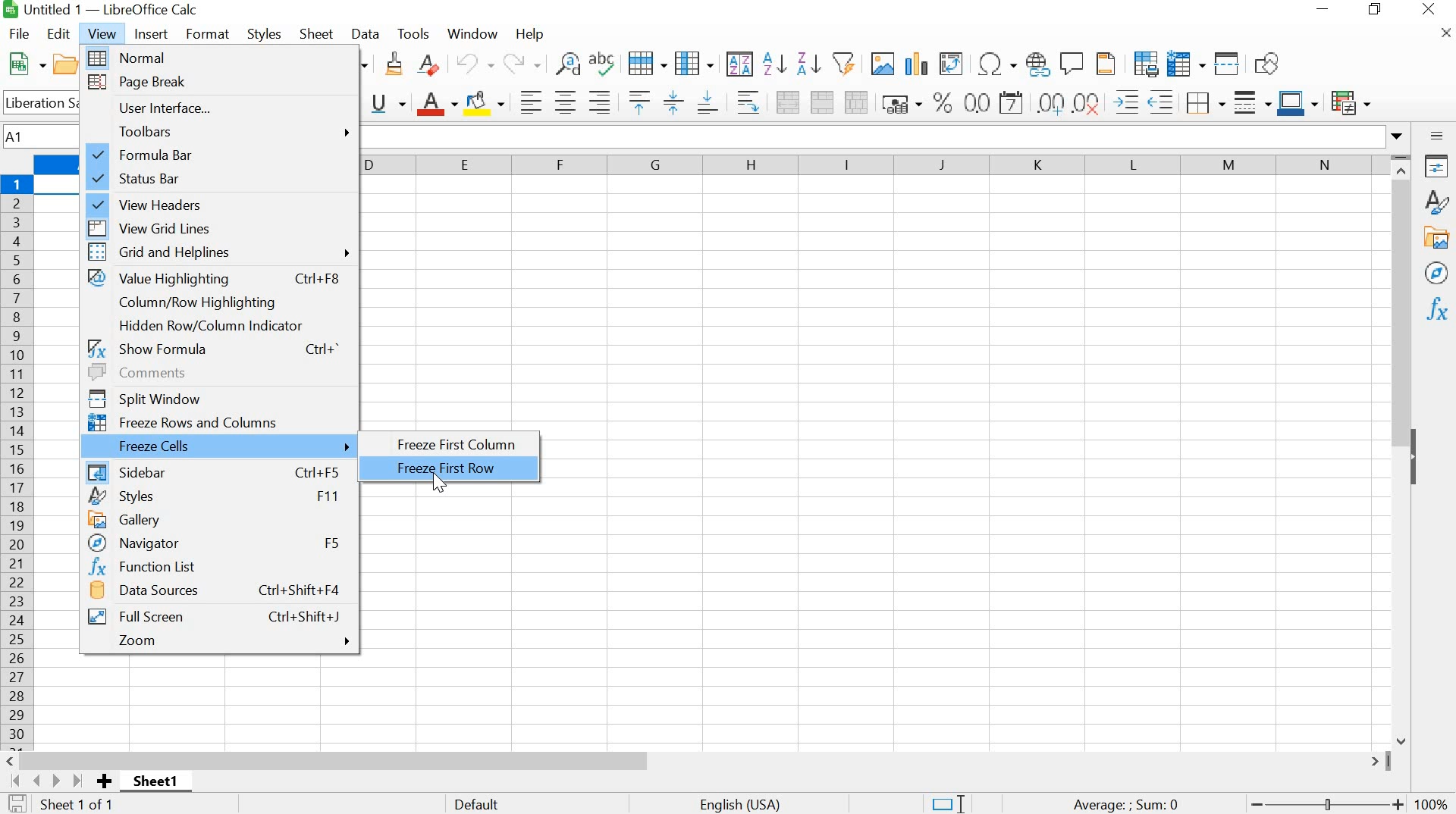  Describe the element at coordinates (218, 279) in the screenshot. I see `VALUE HIGHLIGHTING` at that location.